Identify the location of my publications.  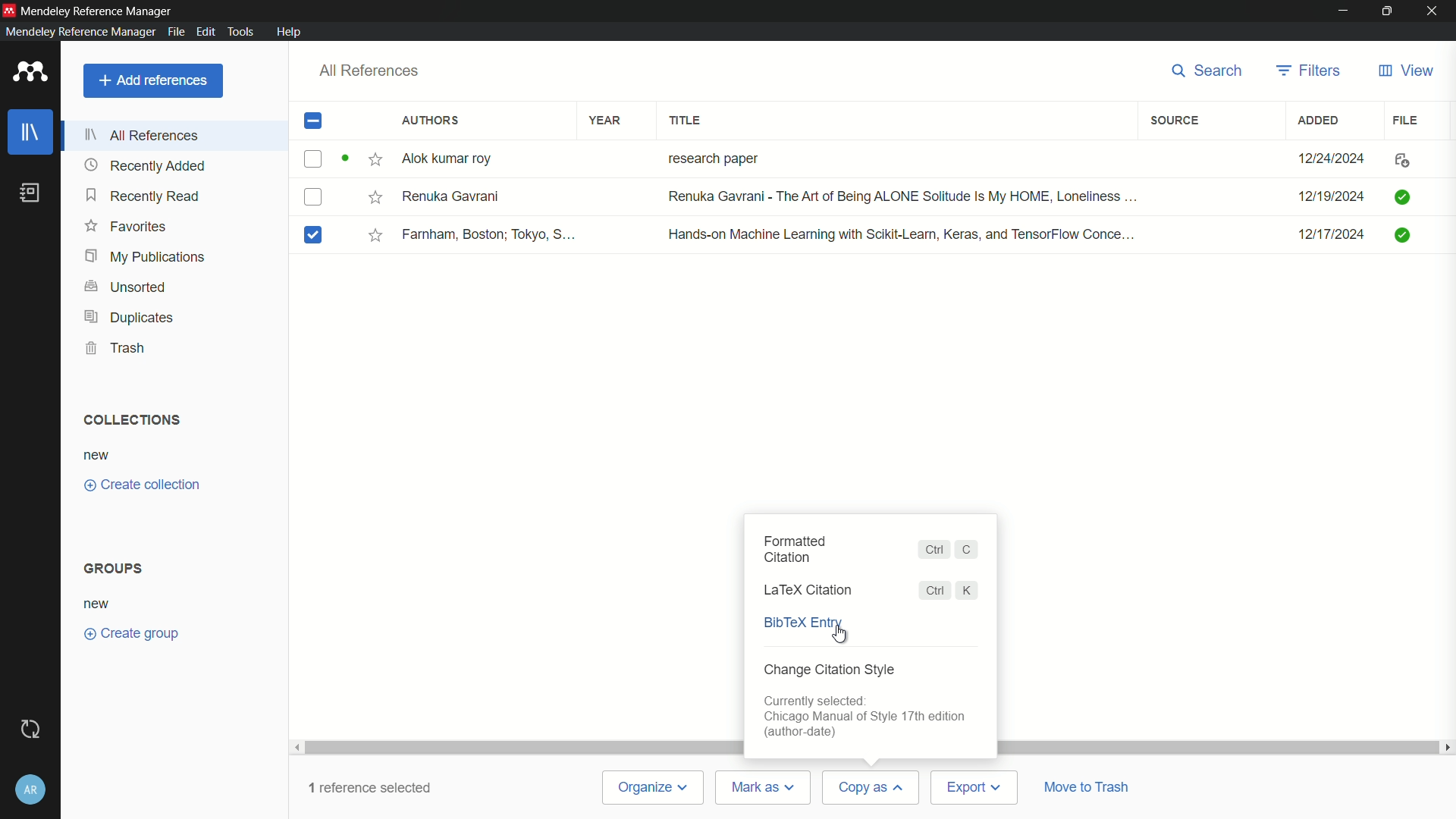
(144, 257).